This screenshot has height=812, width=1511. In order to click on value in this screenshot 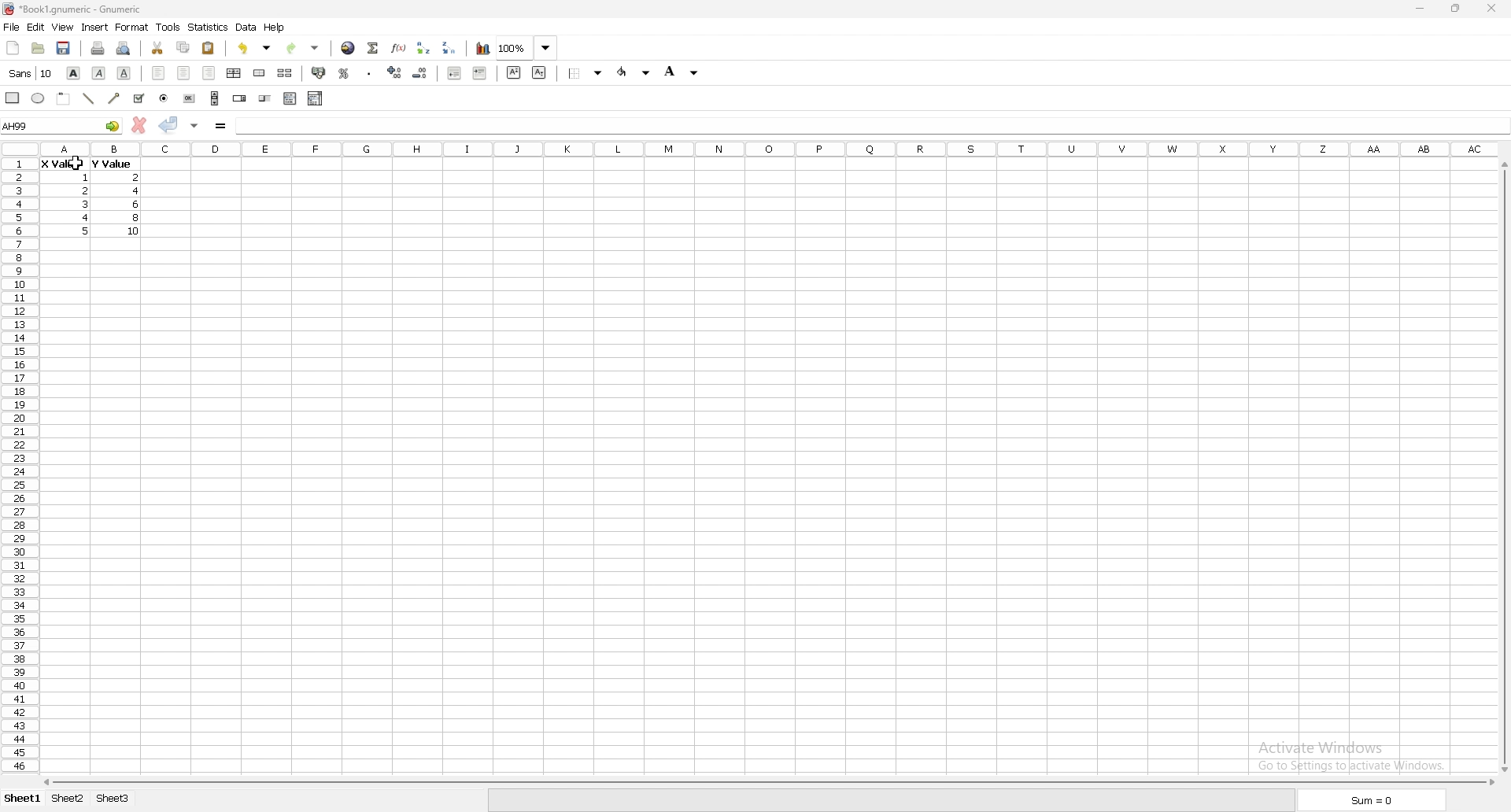, I will do `click(87, 231)`.